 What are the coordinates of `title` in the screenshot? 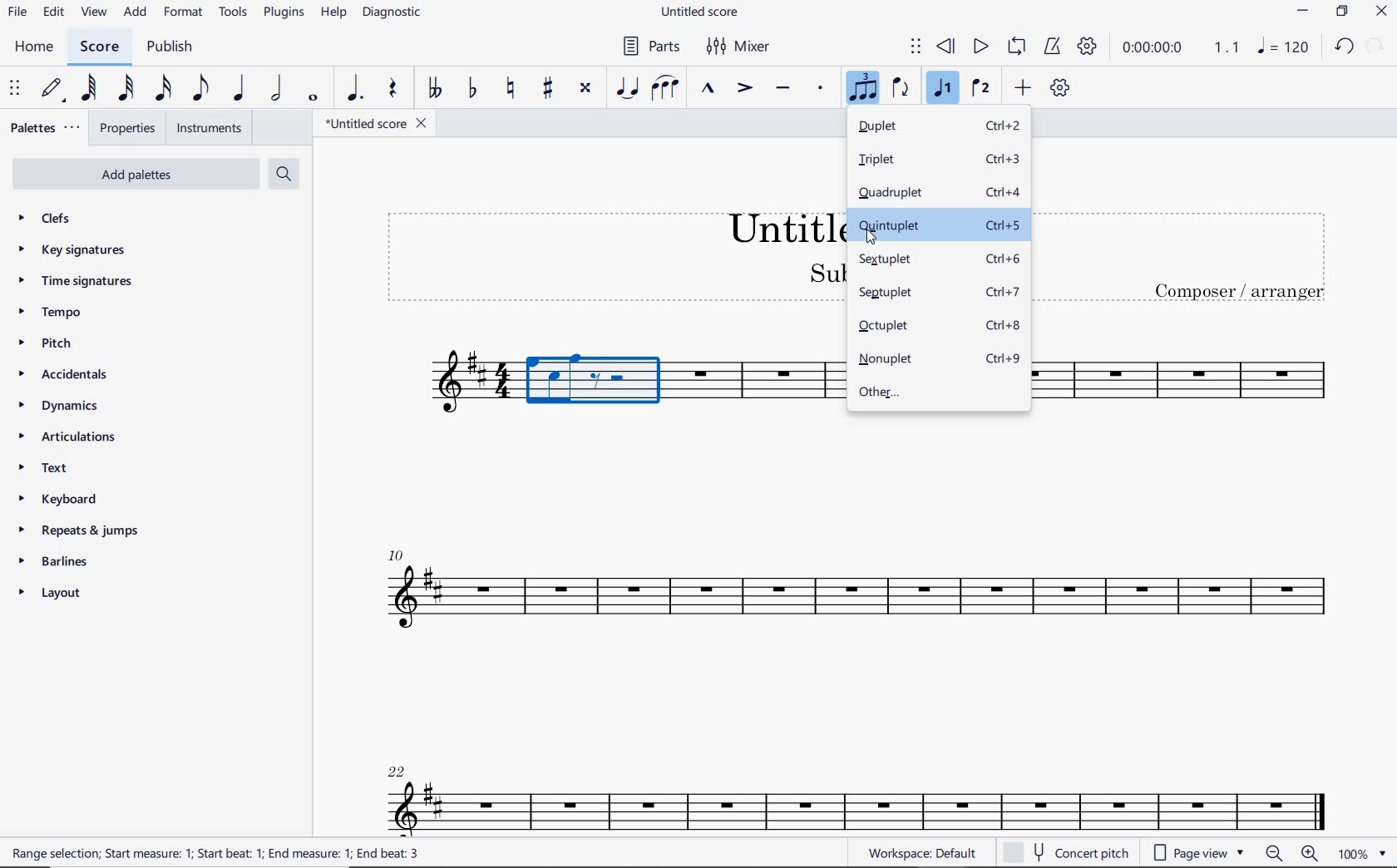 It's located at (611, 257).